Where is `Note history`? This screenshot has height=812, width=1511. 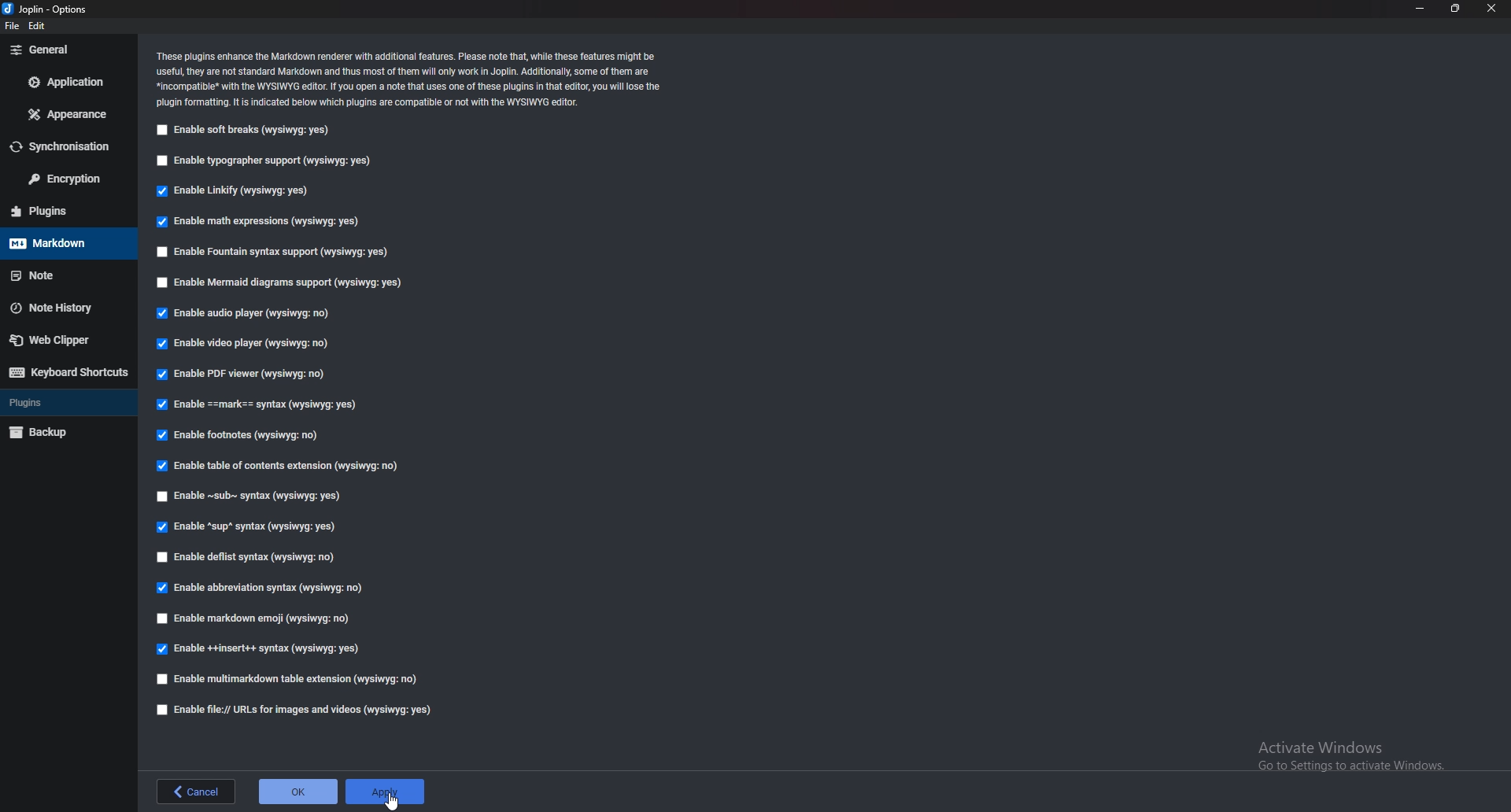
Note history is located at coordinates (67, 308).